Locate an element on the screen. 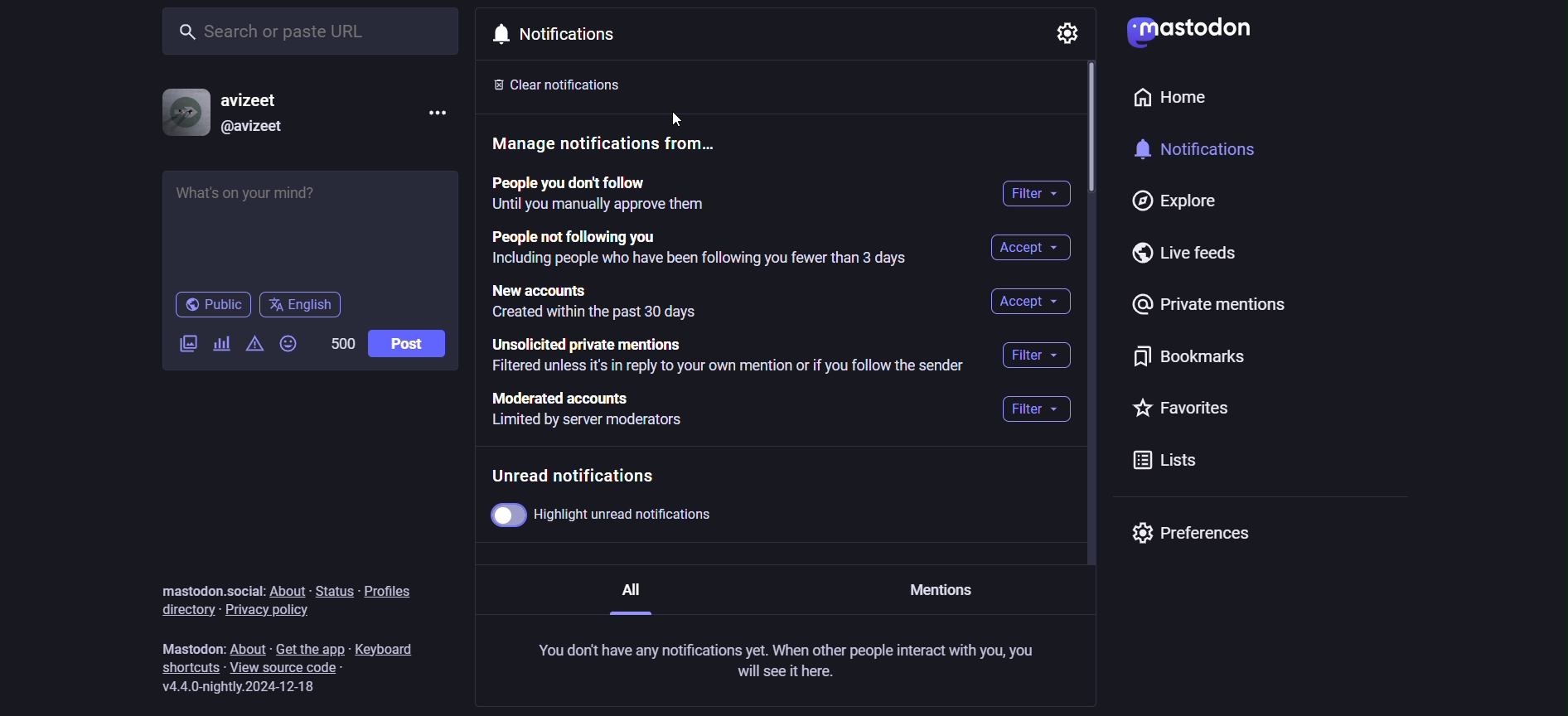  mention is located at coordinates (943, 591).